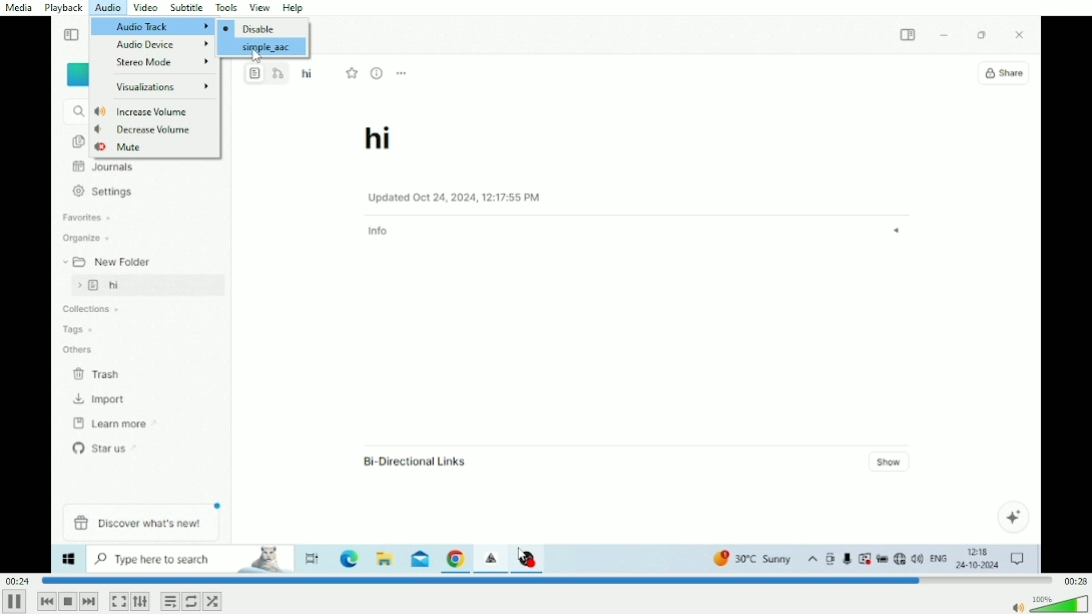  Describe the element at coordinates (162, 89) in the screenshot. I see `Visualizations` at that location.